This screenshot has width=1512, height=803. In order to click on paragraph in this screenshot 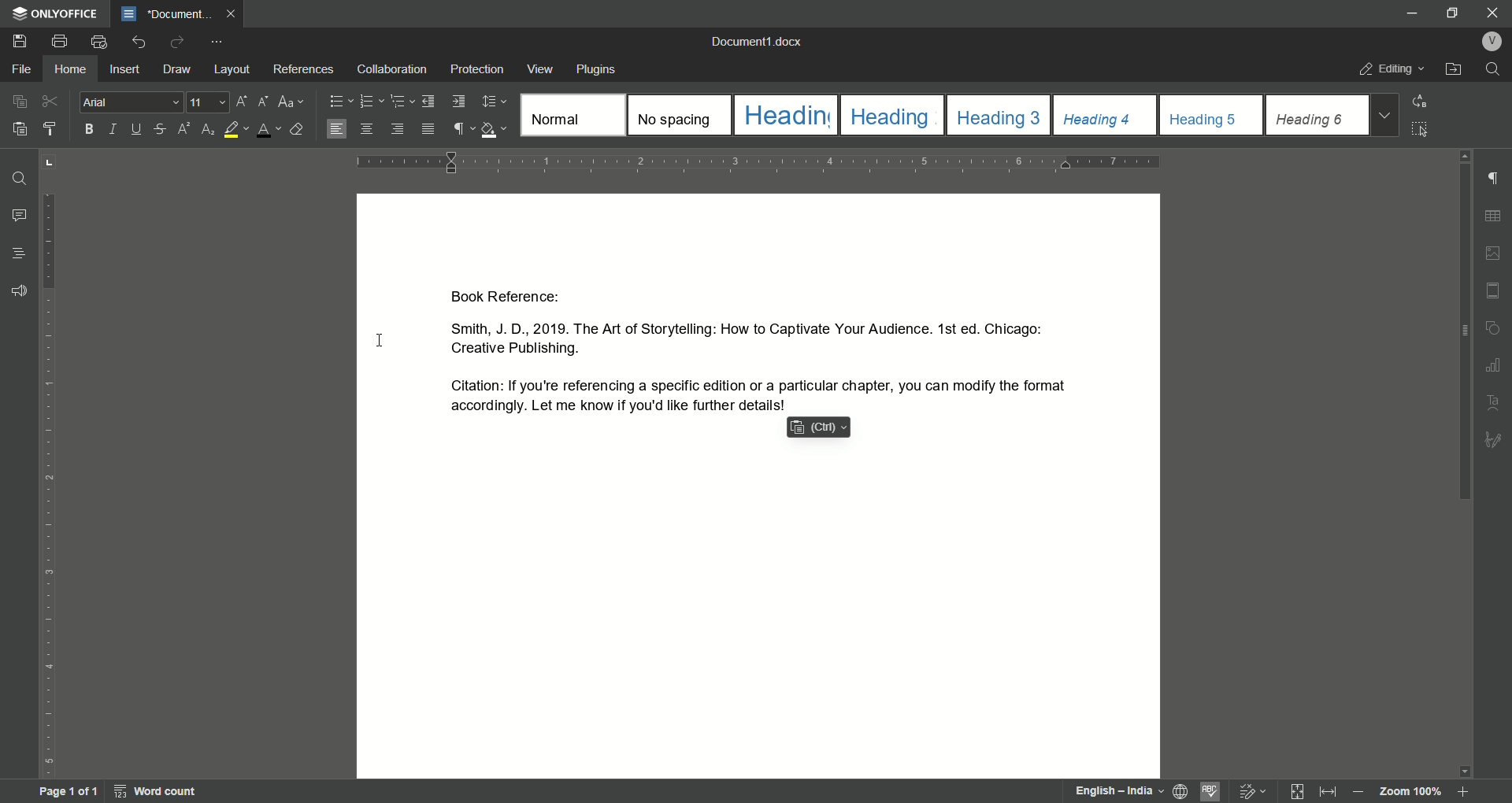, I will do `click(371, 101)`.